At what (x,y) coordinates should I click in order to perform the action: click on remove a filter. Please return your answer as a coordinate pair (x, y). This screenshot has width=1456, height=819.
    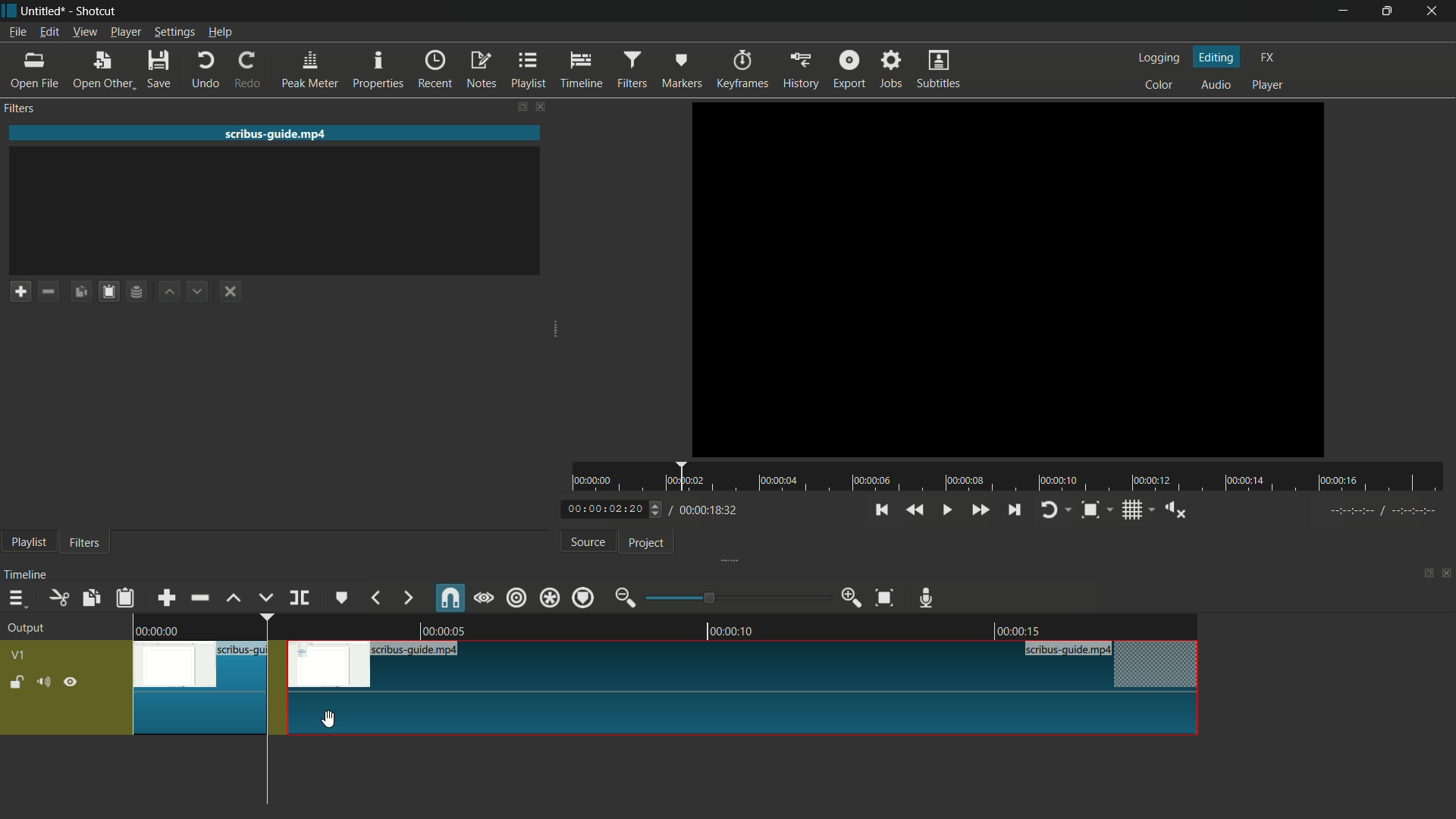
    Looking at the image, I should click on (49, 291).